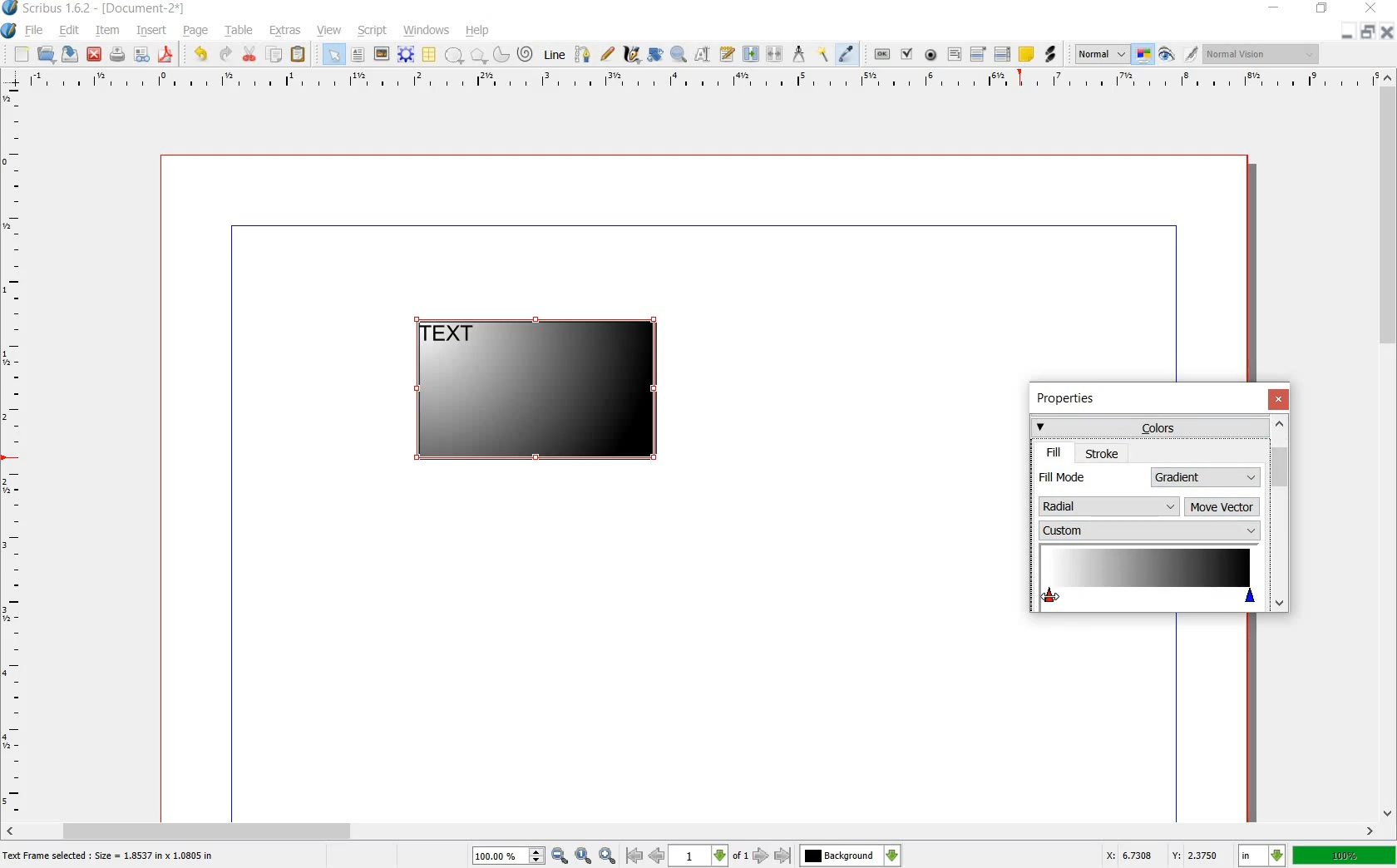  What do you see at coordinates (406, 55) in the screenshot?
I see `render frame` at bounding box center [406, 55].